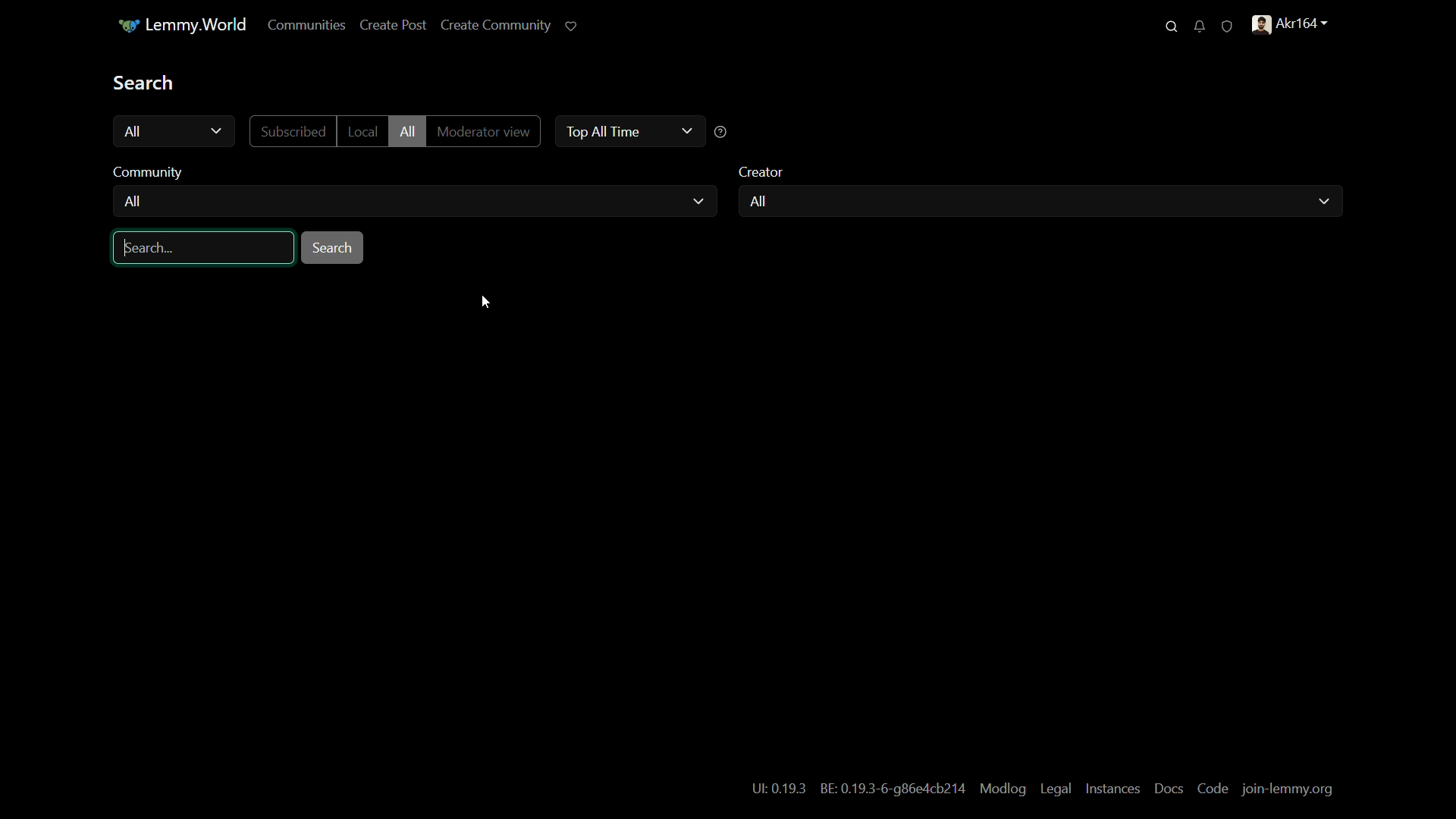 The width and height of the screenshot is (1456, 819). What do you see at coordinates (573, 26) in the screenshot?
I see `support lemmy.world` at bounding box center [573, 26].